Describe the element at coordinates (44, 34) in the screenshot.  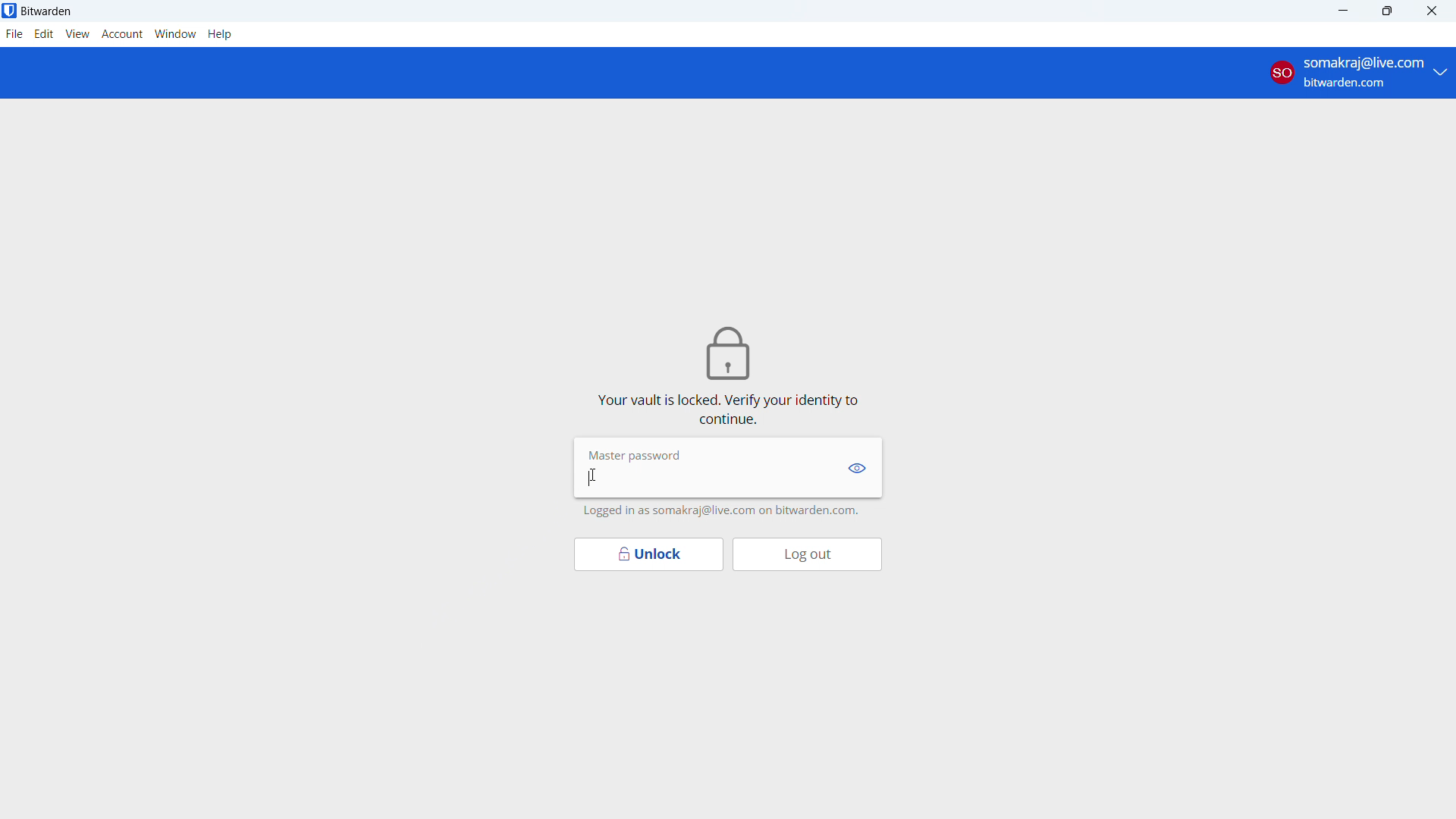
I see `edit` at that location.